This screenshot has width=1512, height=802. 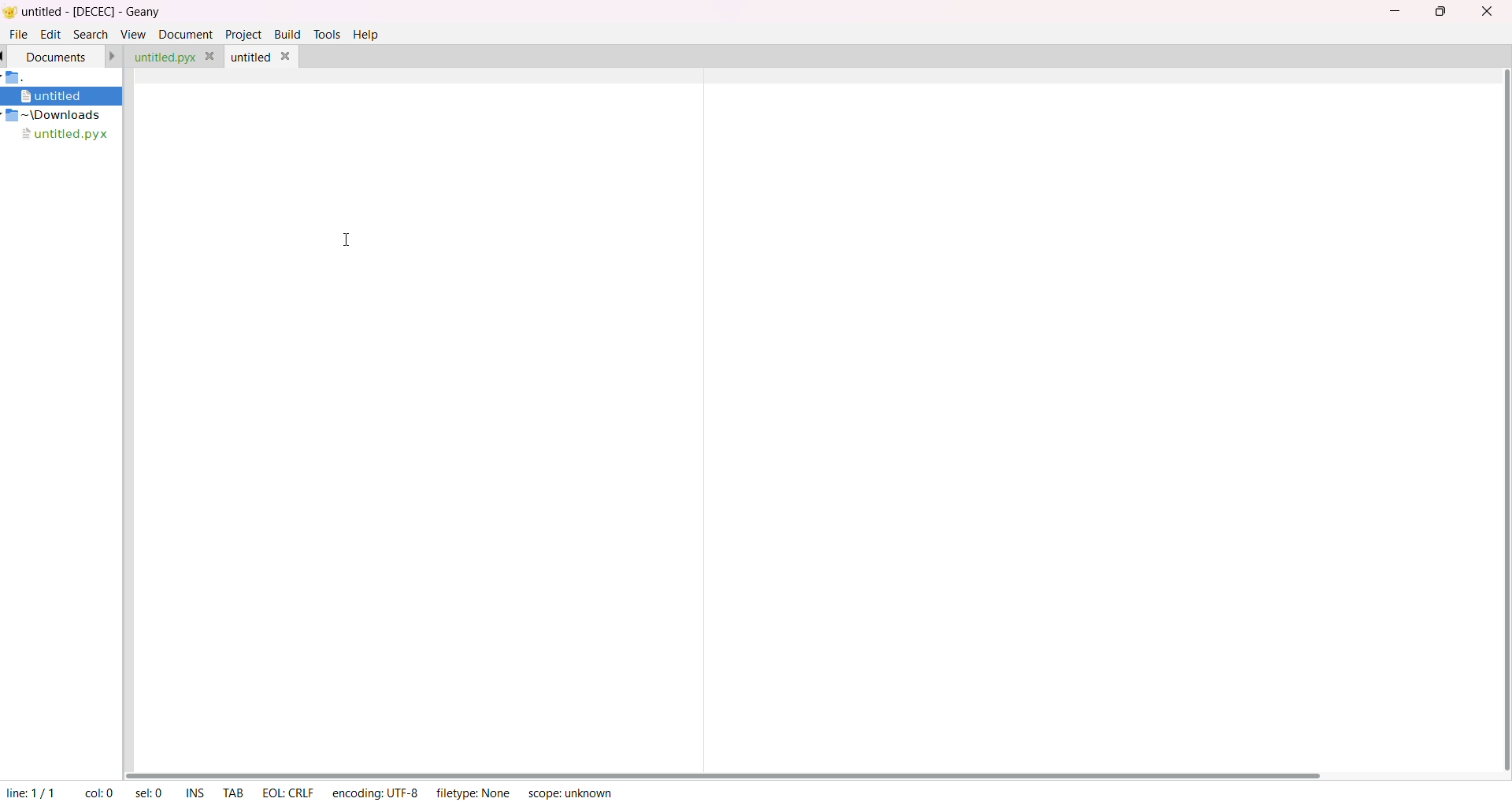 I want to click on Ins, so click(x=194, y=791).